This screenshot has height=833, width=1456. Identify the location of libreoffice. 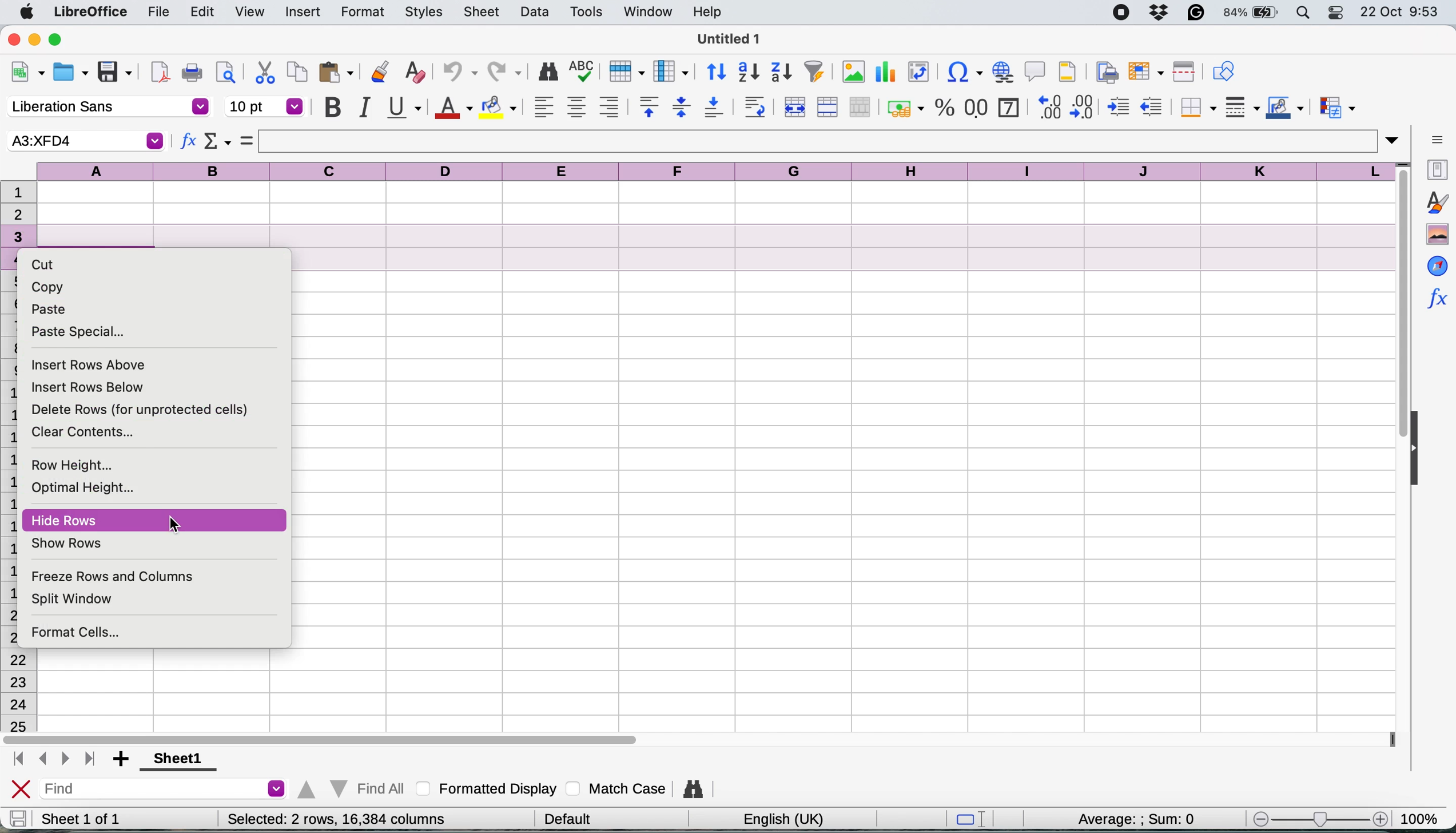
(93, 13).